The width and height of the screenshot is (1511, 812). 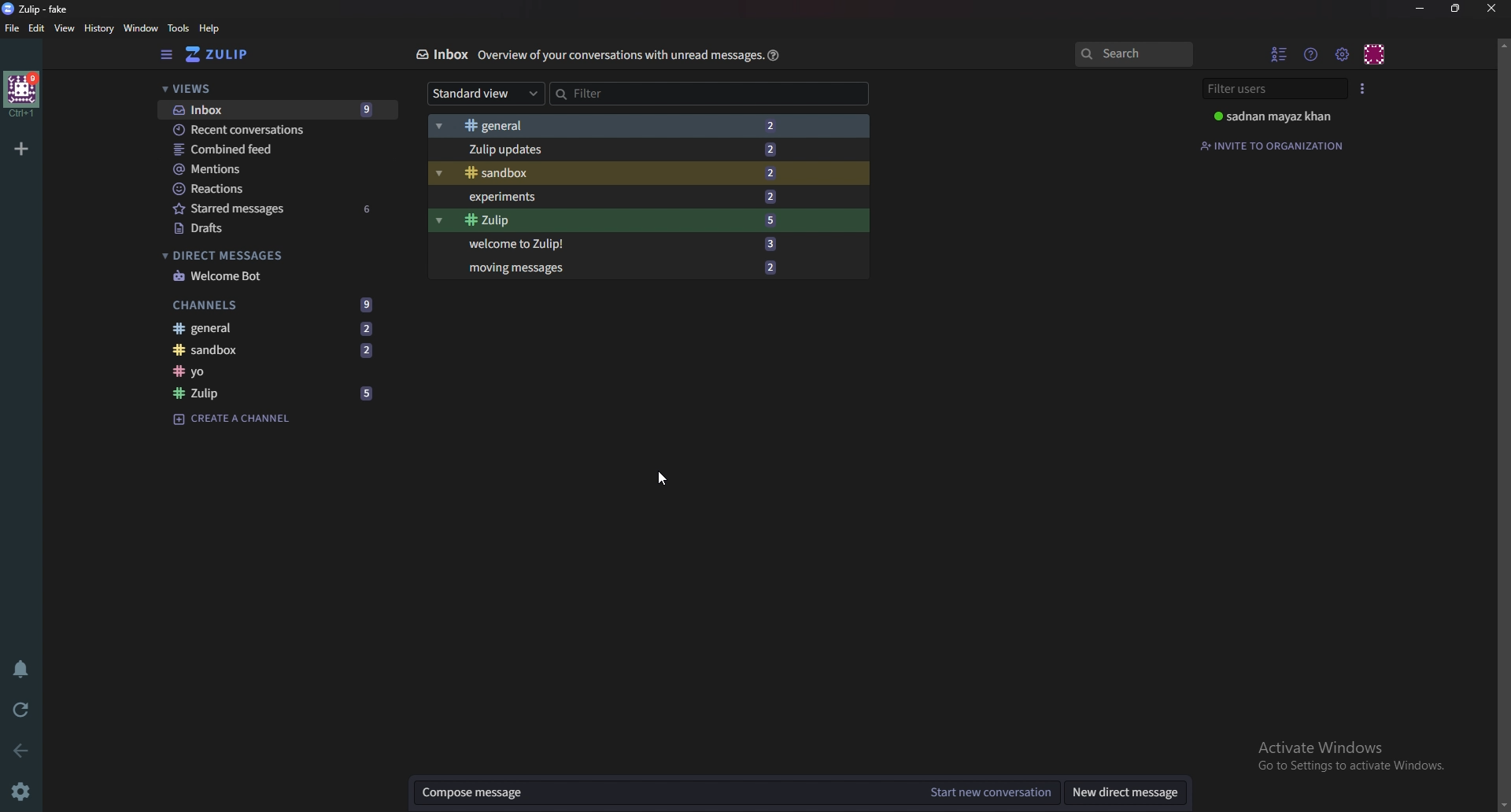 I want to click on add organization, so click(x=20, y=151).